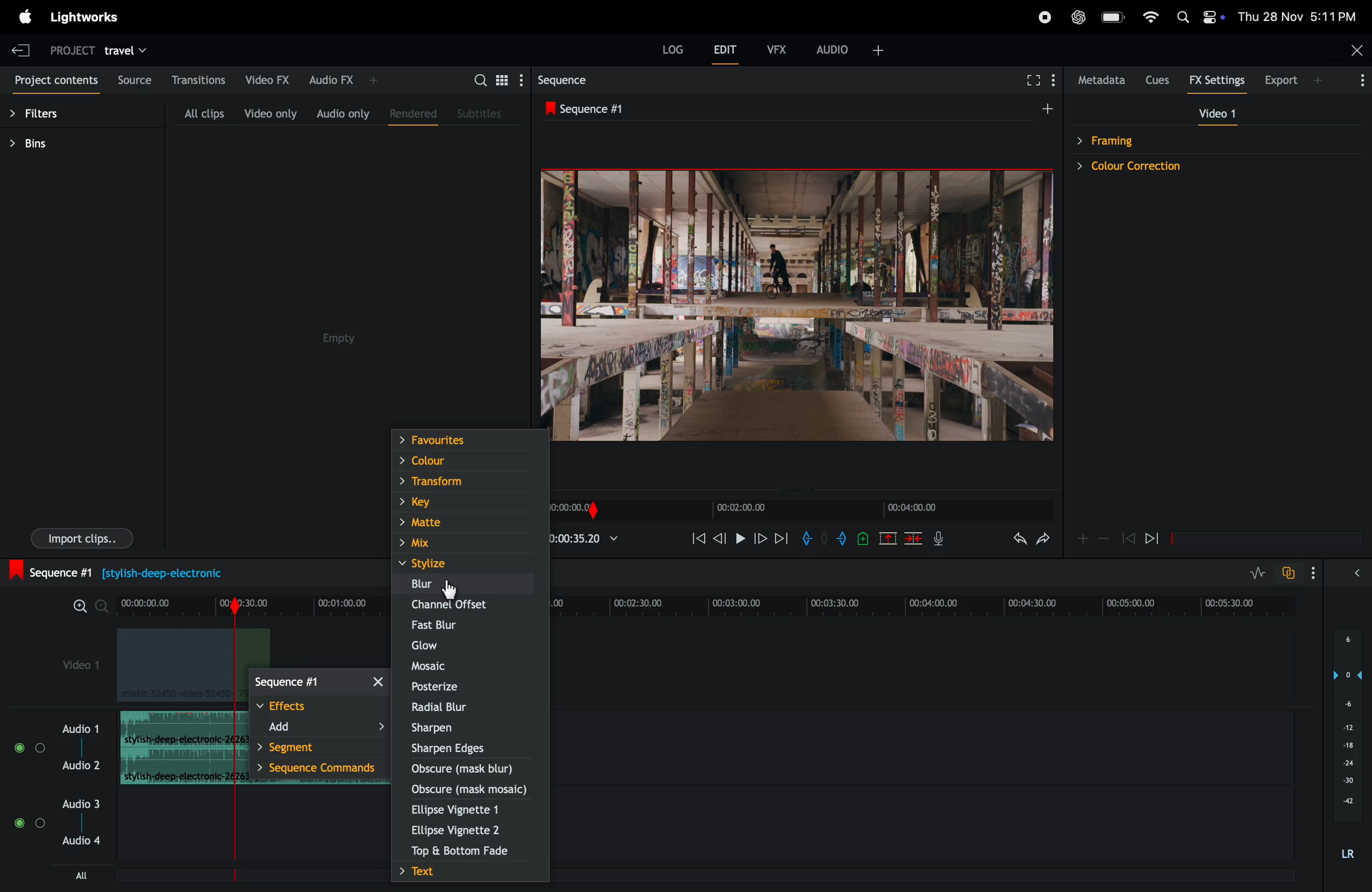 This screenshot has height=892, width=1372. What do you see at coordinates (18, 746) in the screenshot?
I see `` at bounding box center [18, 746].